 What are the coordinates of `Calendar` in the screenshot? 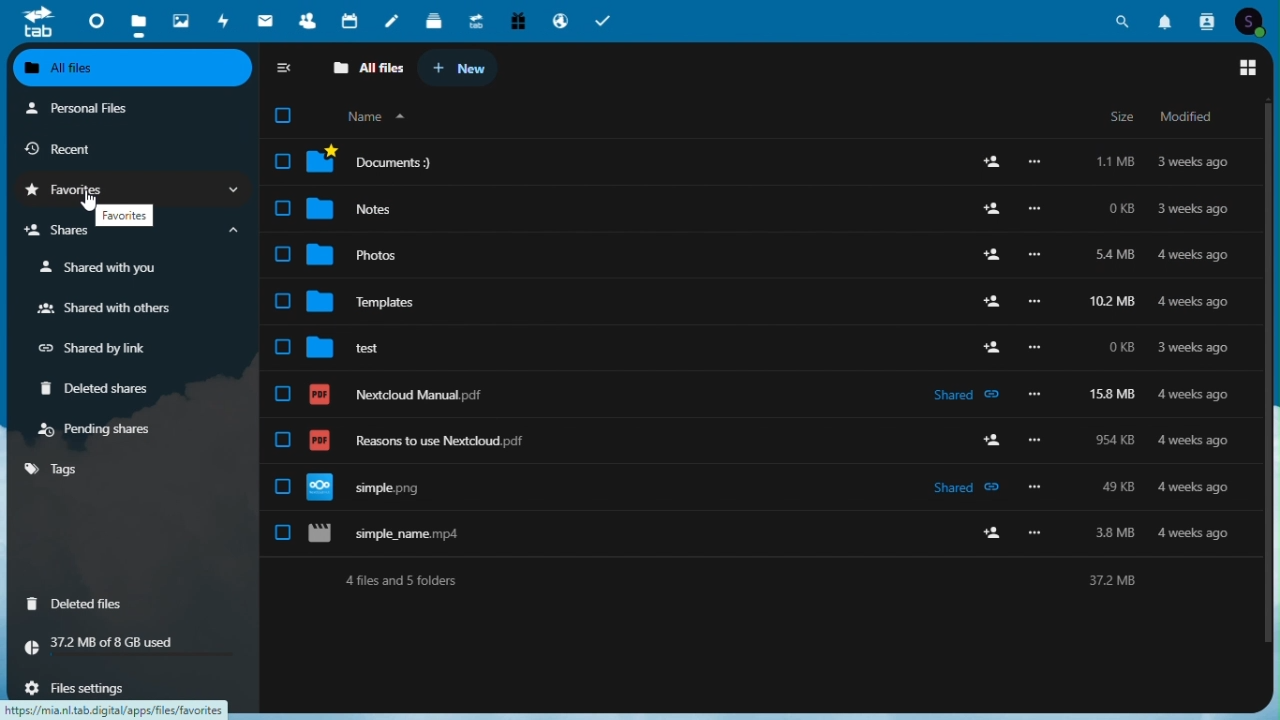 It's located at (351, 18).